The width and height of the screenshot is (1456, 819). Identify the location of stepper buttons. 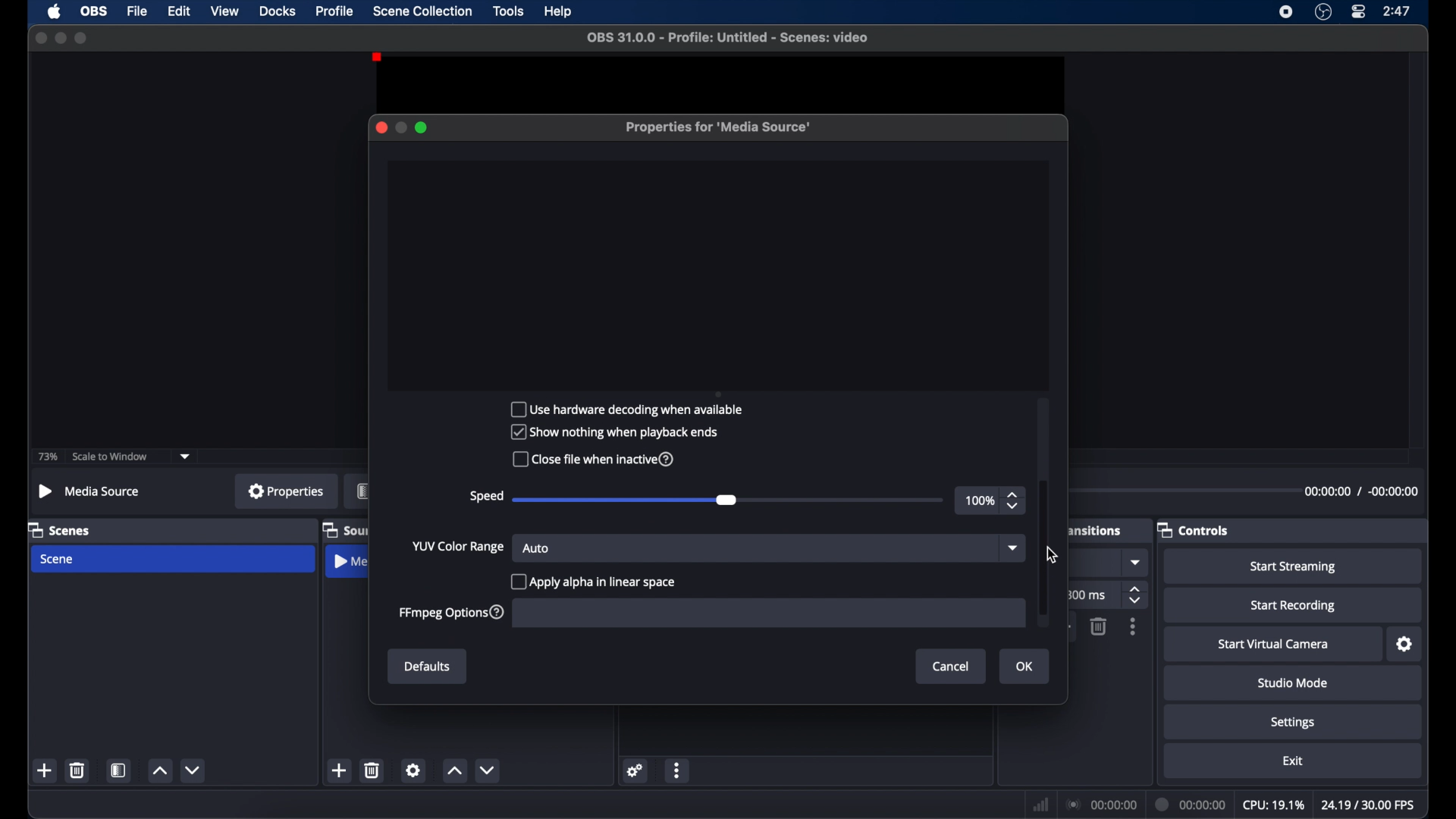
(1137, 595).